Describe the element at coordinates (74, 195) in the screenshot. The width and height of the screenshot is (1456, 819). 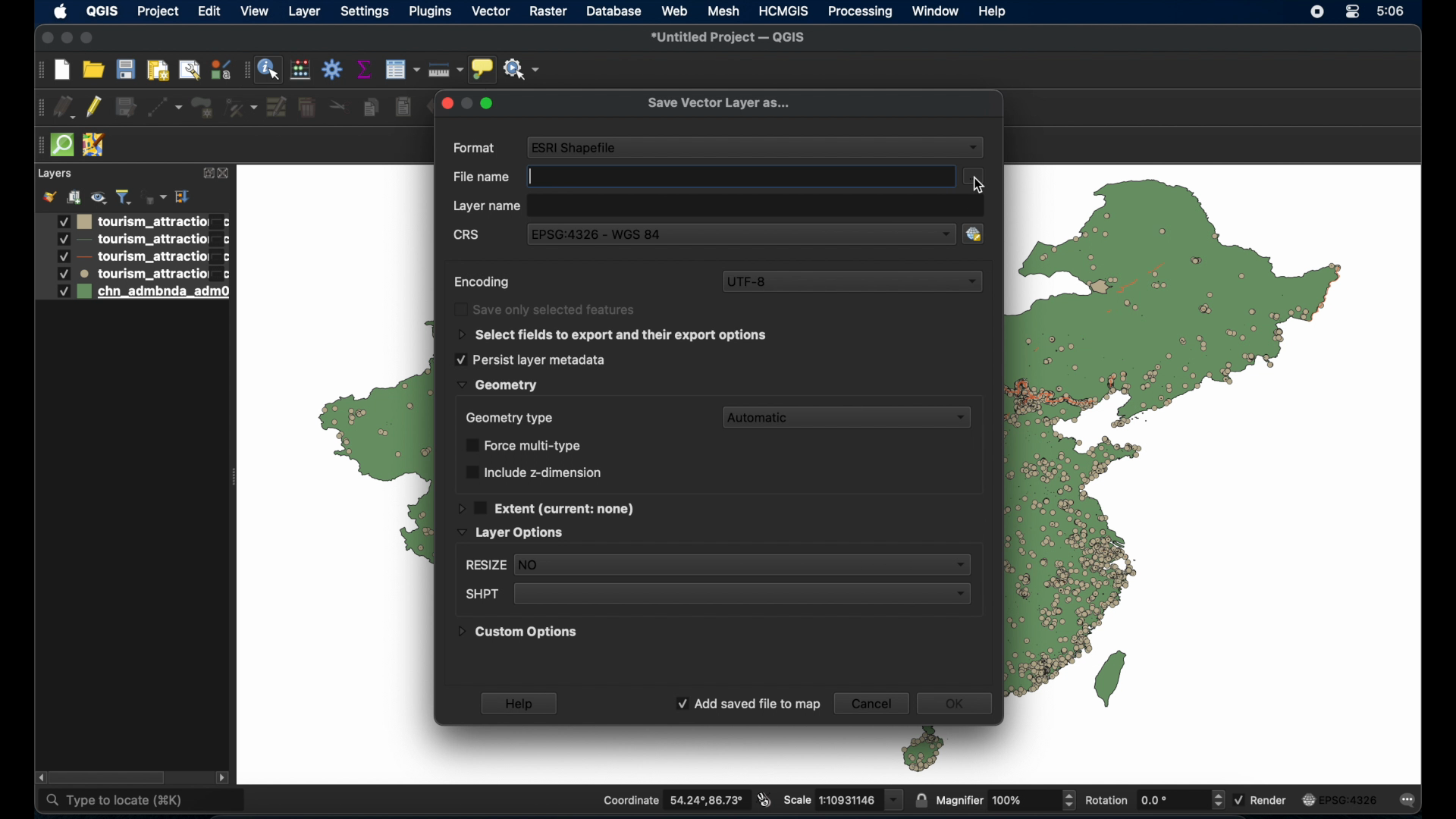
I see `add group` at that location.